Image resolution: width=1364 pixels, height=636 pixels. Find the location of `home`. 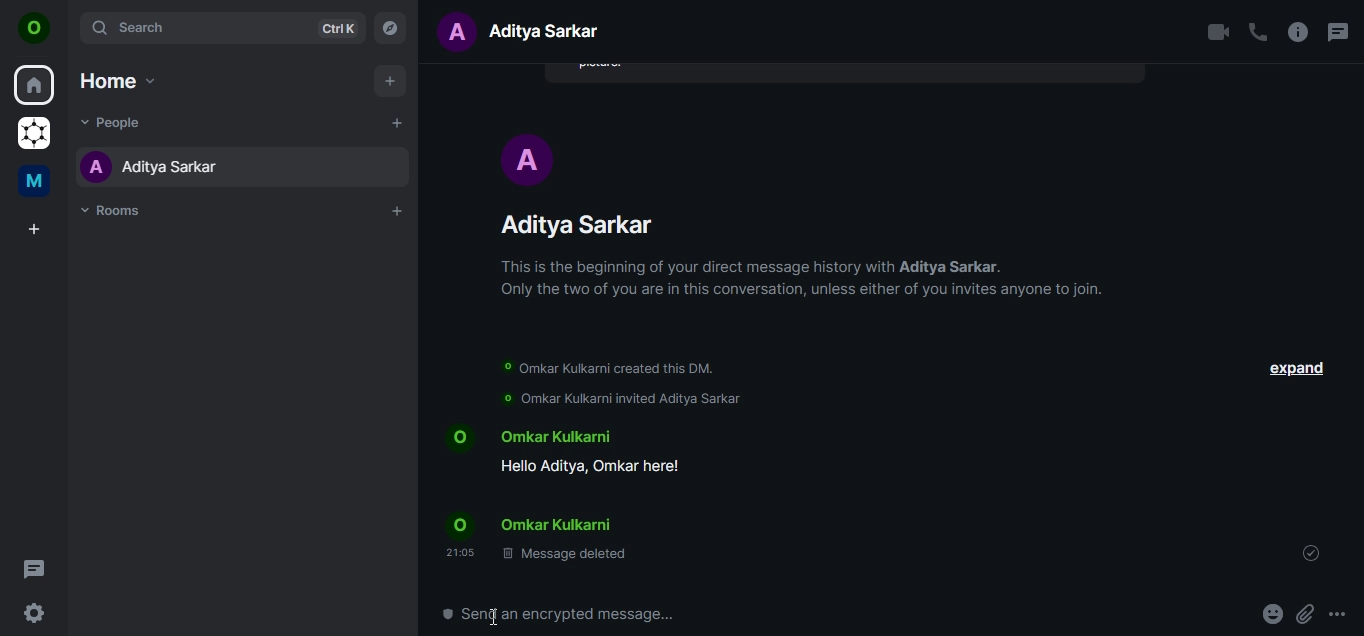

home is located at coordinates (120, 80).